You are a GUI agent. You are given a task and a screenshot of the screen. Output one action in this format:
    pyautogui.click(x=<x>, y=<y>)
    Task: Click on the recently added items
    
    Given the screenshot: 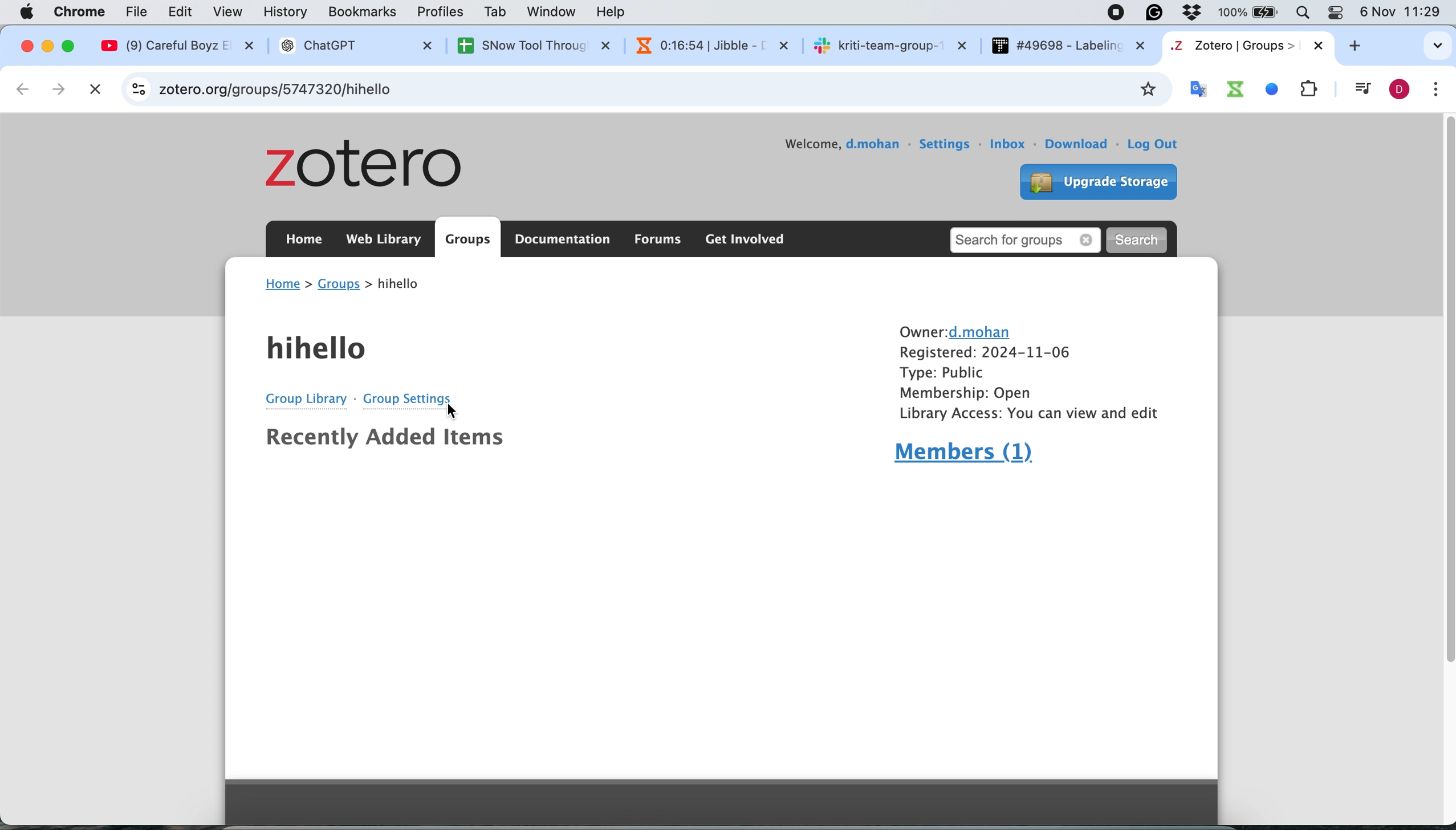 What is the action you would take?
    pyautogui.click(x=384, y=441)
    